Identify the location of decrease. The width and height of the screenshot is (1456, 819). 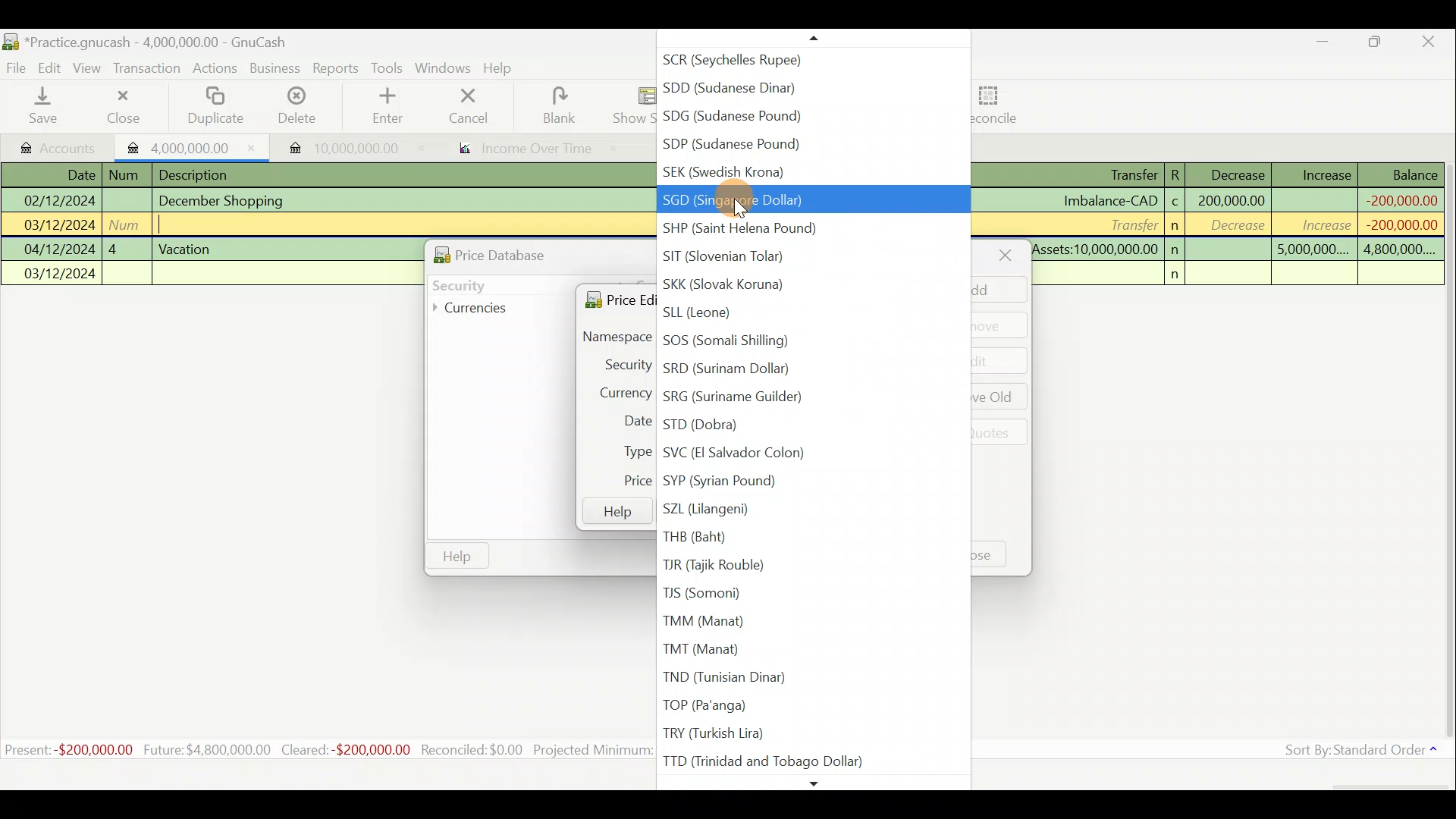
(1233, 227).